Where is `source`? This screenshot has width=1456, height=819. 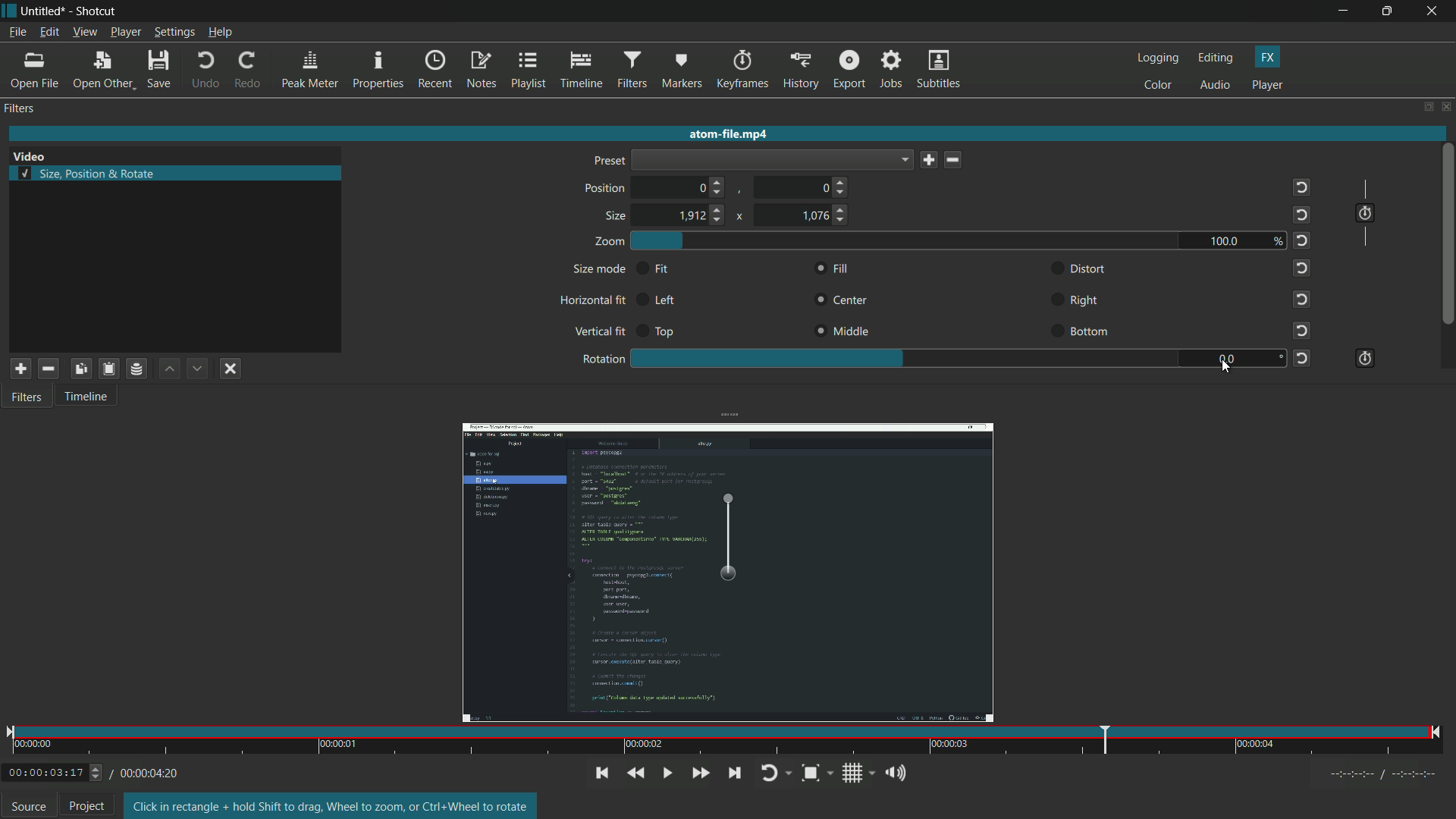
source is located at coordinates (29, 807).